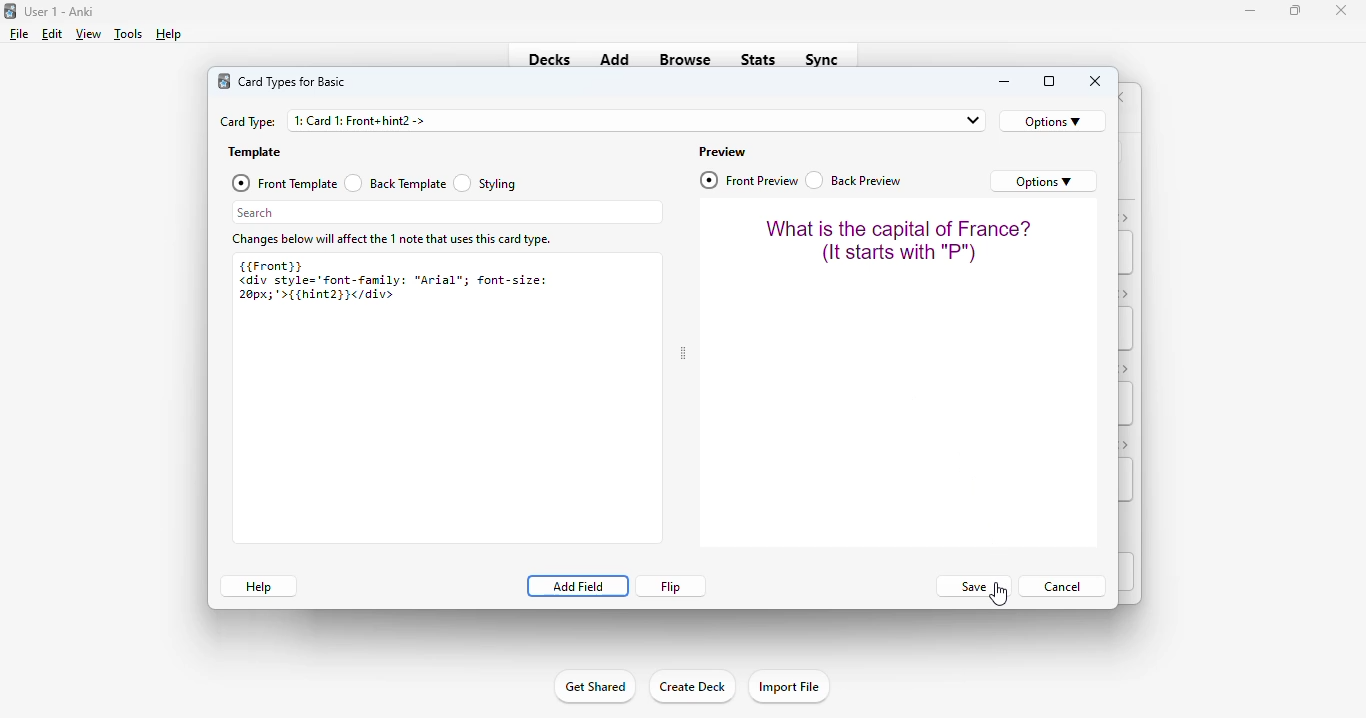  I want to click on sync, so click(820, 58).